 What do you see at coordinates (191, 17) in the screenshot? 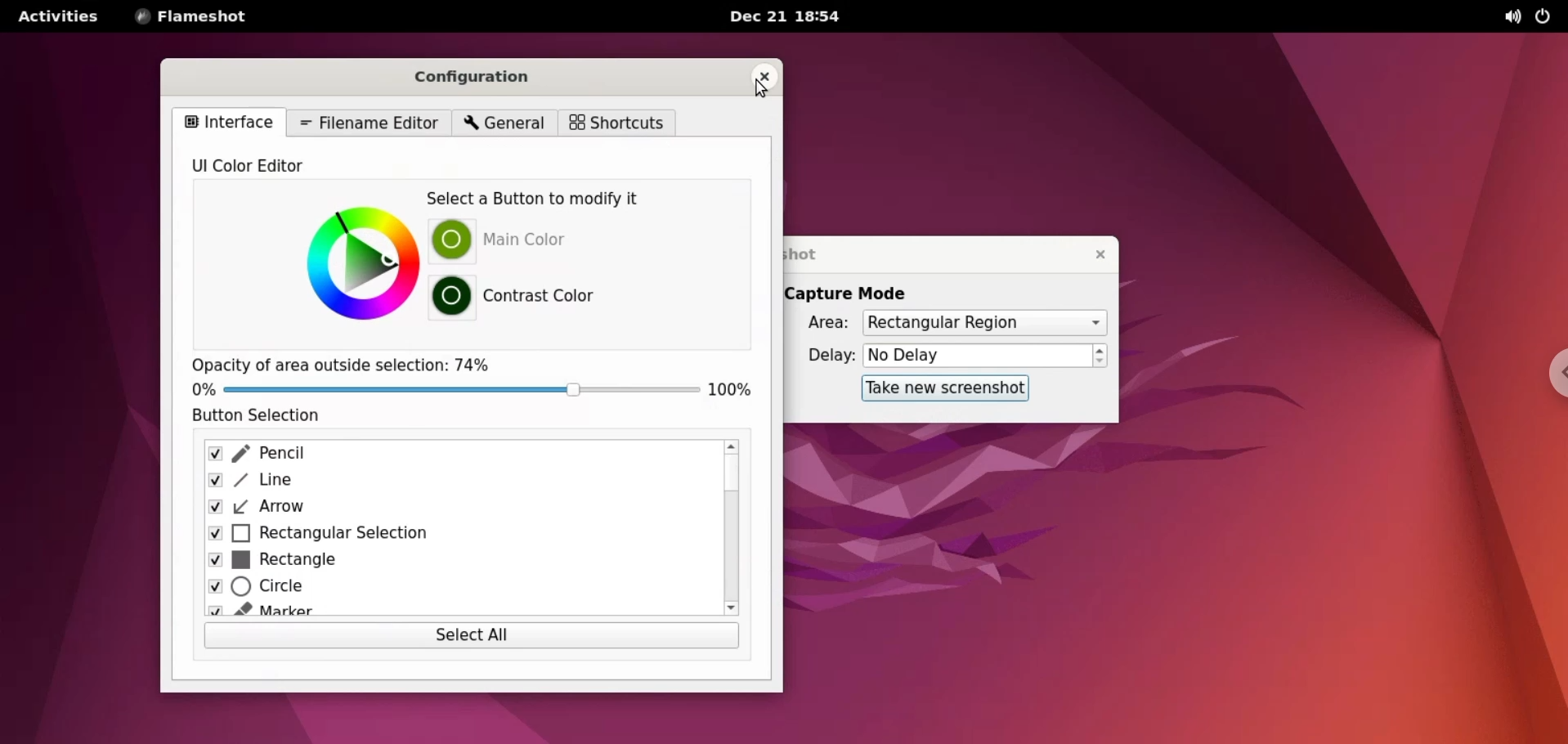
I see `flameshot options` at bounding box center [191, 17].